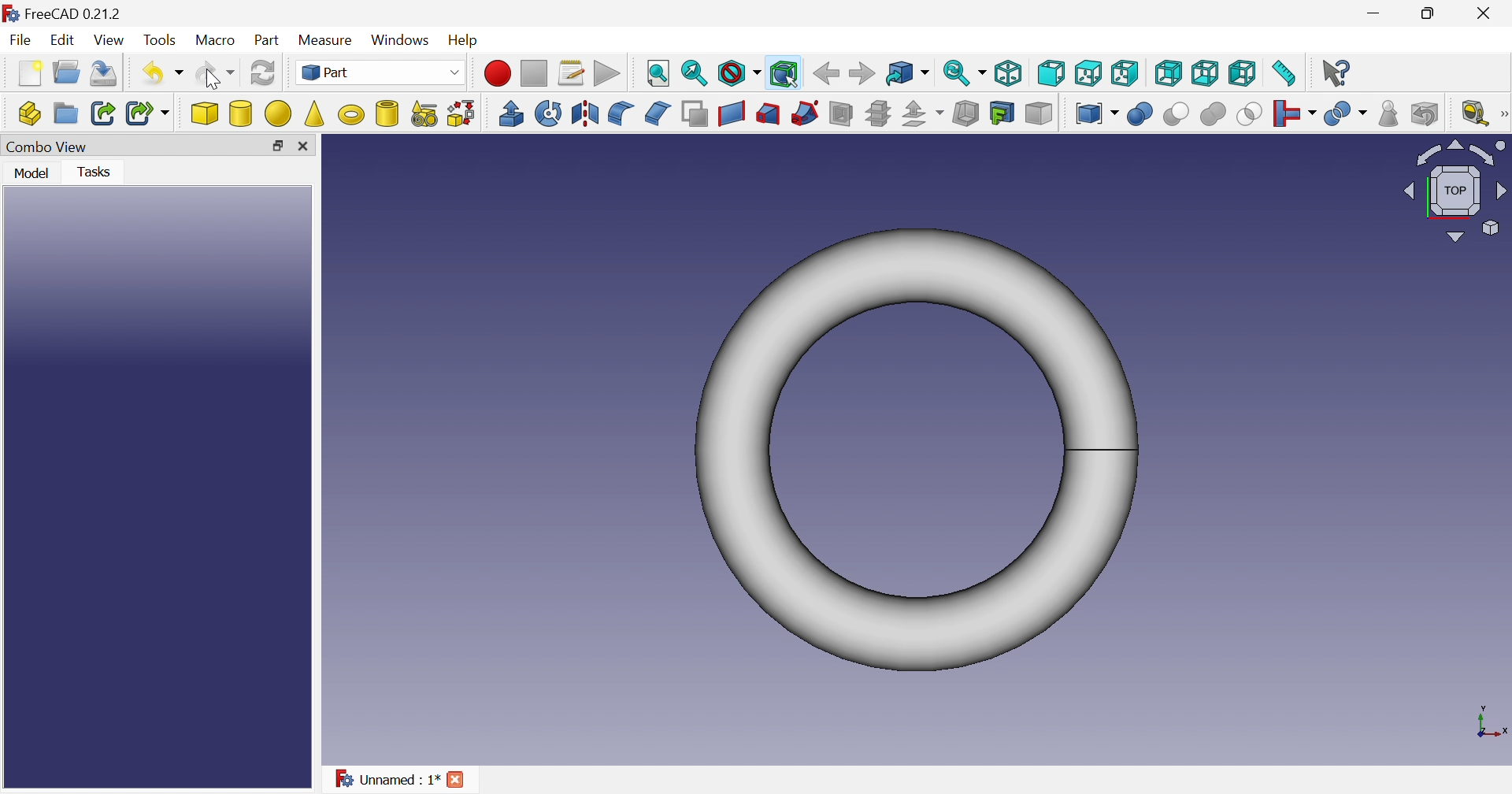  What do you see at coordinates (1456, 195) in the screenshot?
I see `Viewing angle` at bounding box center [1456, 195].